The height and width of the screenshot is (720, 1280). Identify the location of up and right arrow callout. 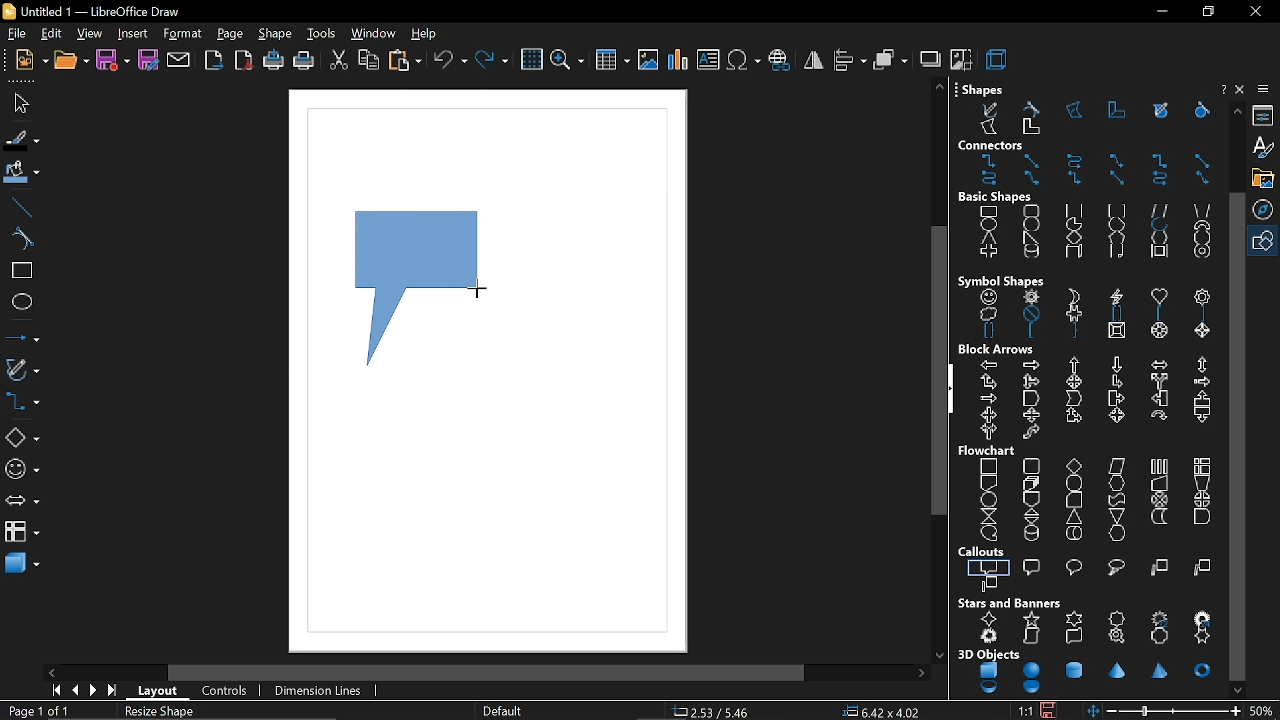
(1073, 417).